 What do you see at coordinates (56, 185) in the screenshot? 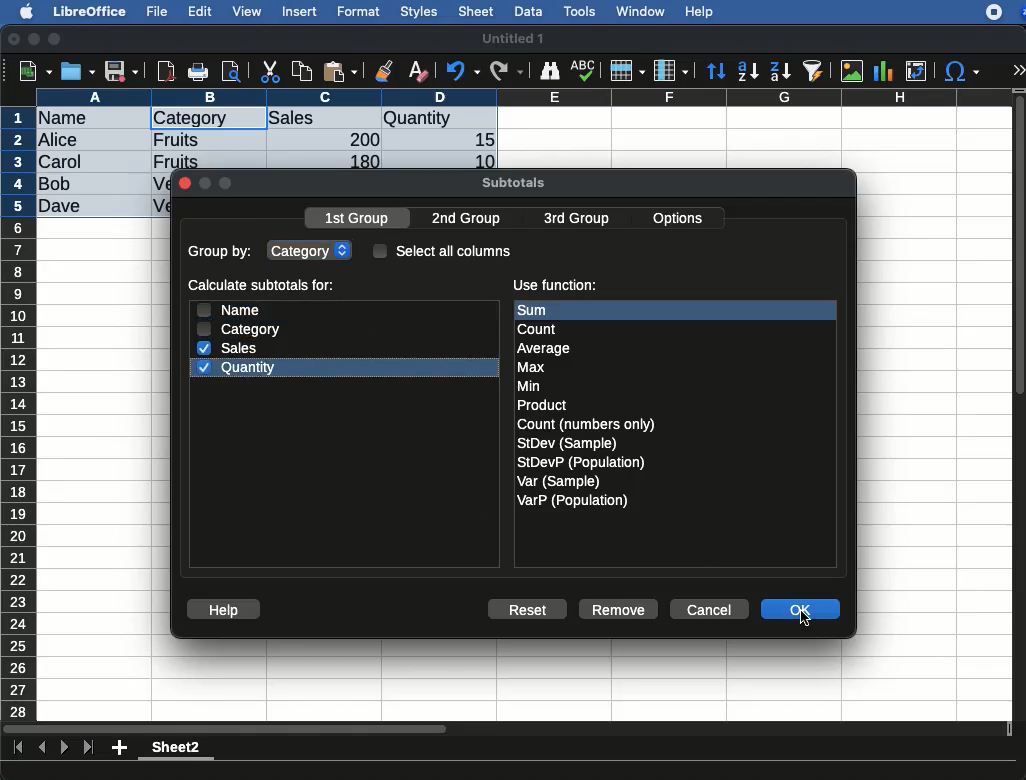
I see `Bob` at bounding box center [56, 185].